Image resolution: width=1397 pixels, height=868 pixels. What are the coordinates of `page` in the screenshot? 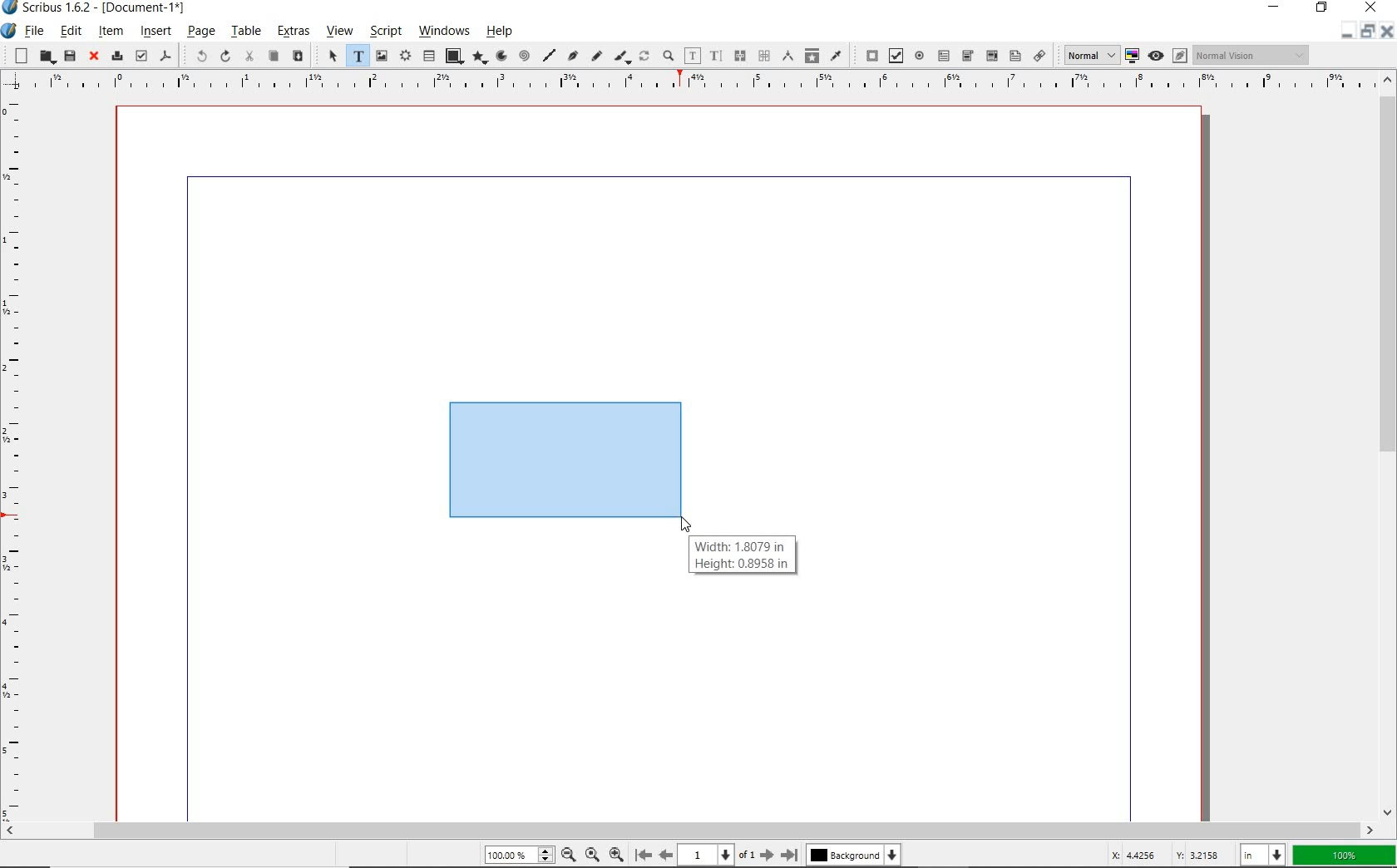 It's located at (200, 33).